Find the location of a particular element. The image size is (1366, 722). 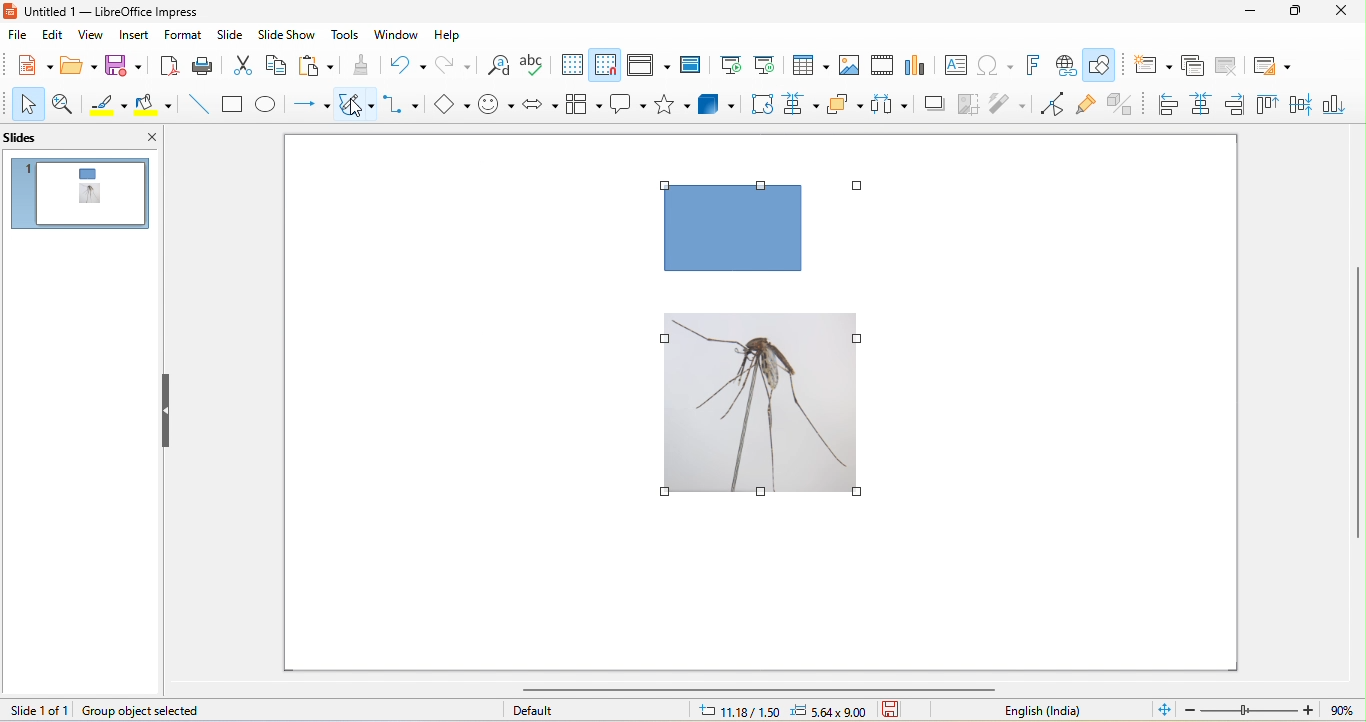

right is located at coordinates (1233, 106).